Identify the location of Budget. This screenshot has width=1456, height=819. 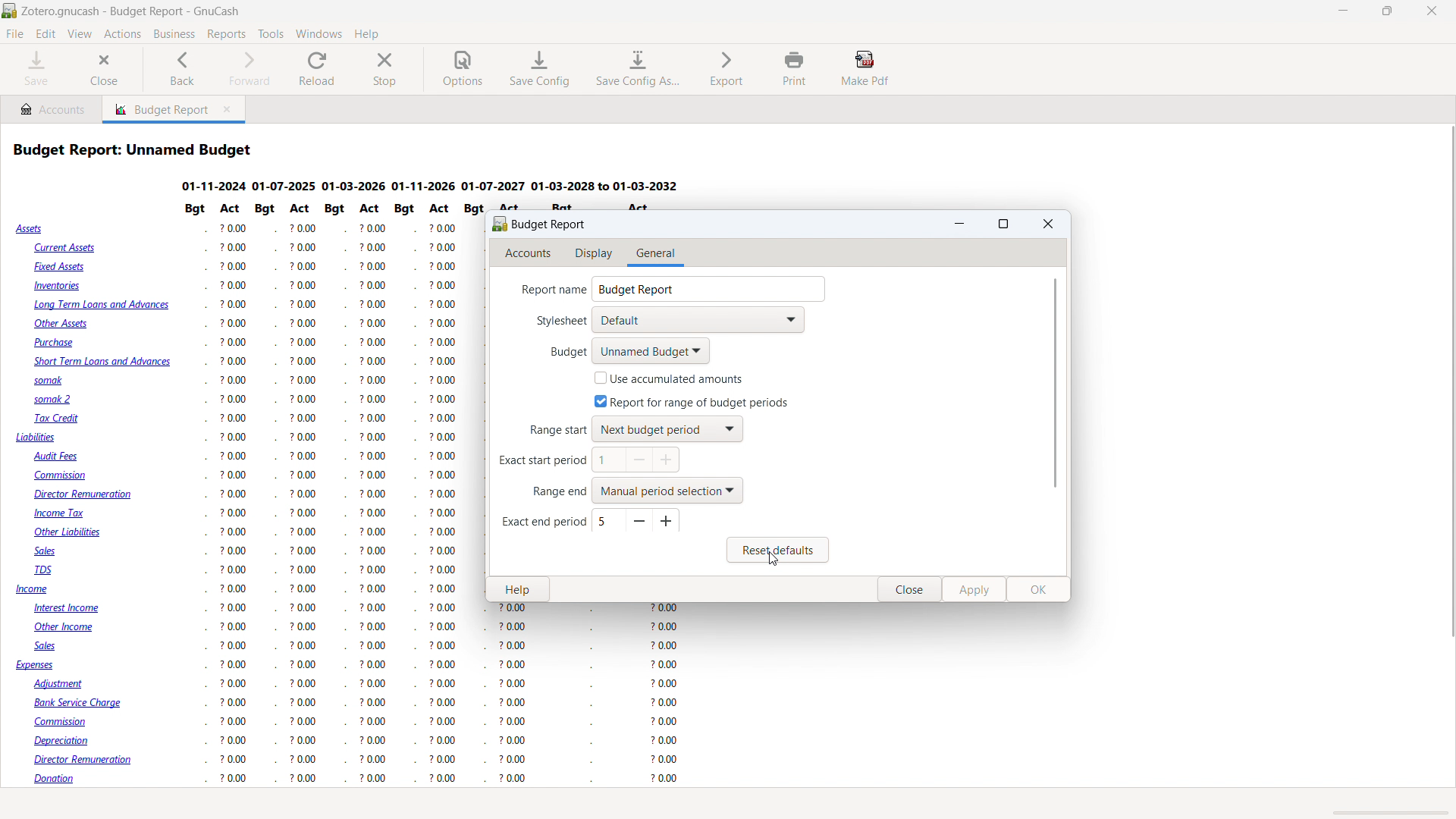
(554, 351).